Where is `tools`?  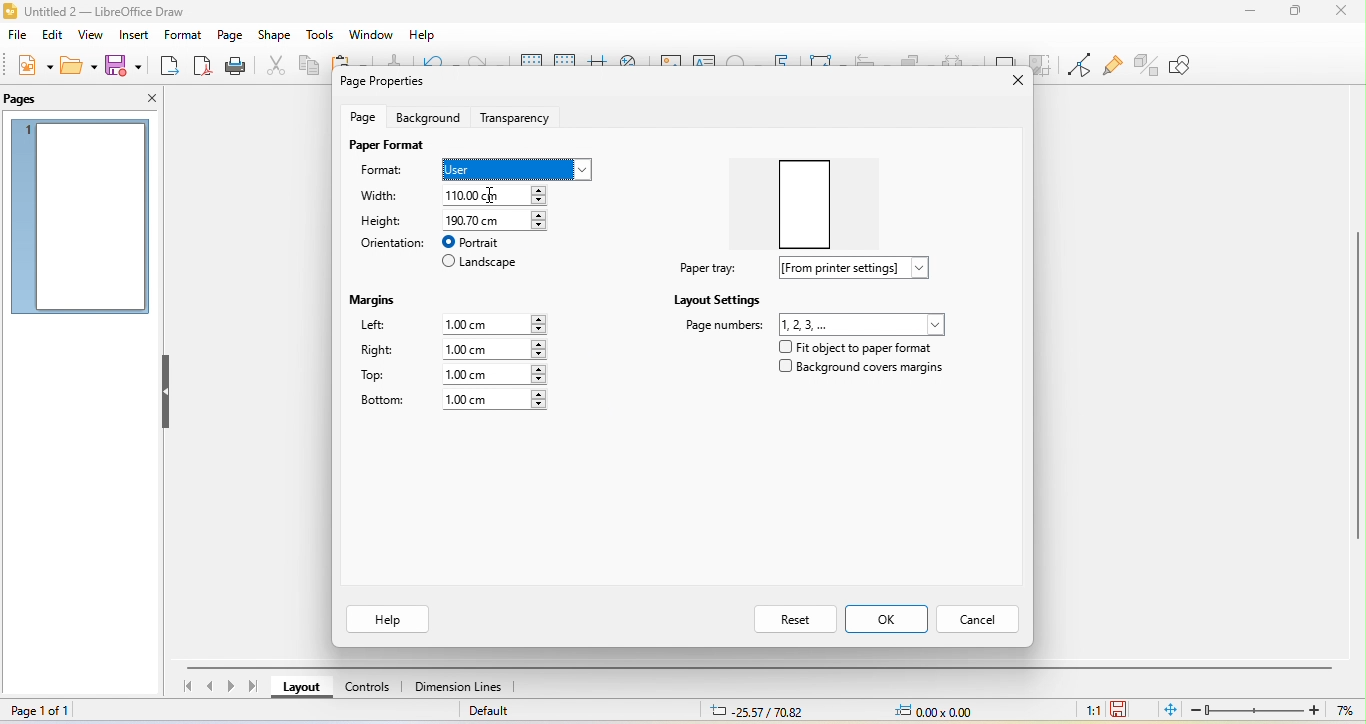
tools is located at coordinates (321, 36).